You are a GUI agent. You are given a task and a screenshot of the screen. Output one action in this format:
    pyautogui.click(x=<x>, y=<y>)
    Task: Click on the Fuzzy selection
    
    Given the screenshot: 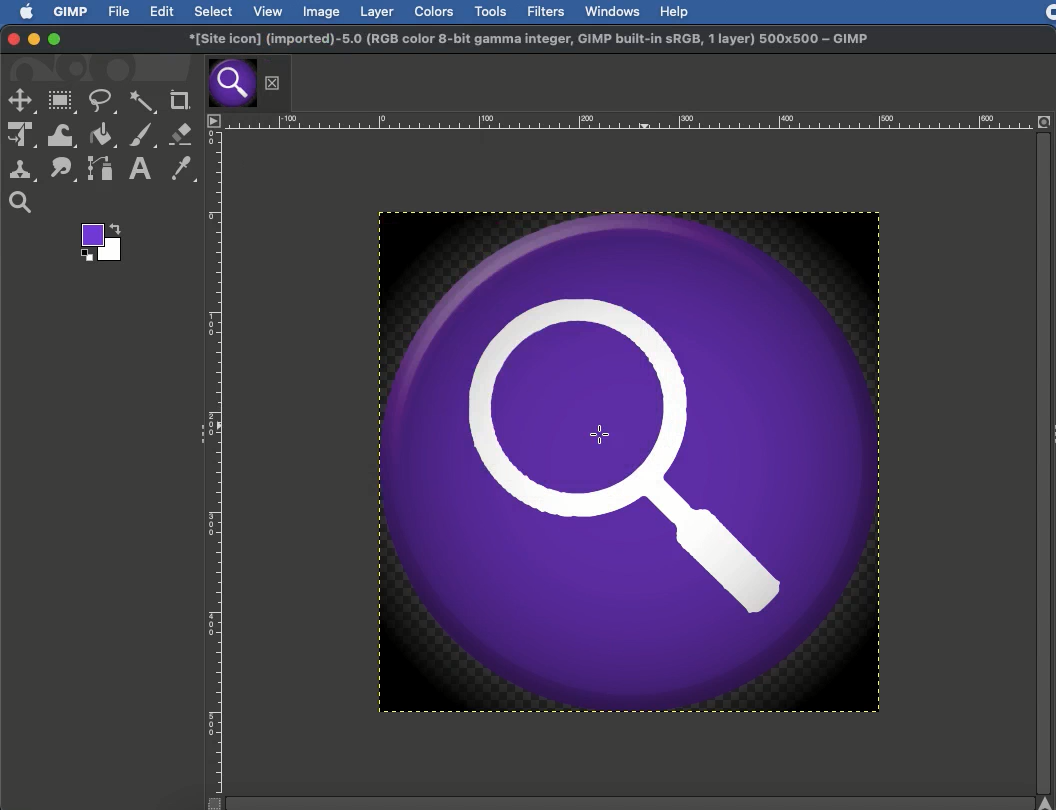 What is the action you would take?
    pyautogui.click(x=143, y=102)
    